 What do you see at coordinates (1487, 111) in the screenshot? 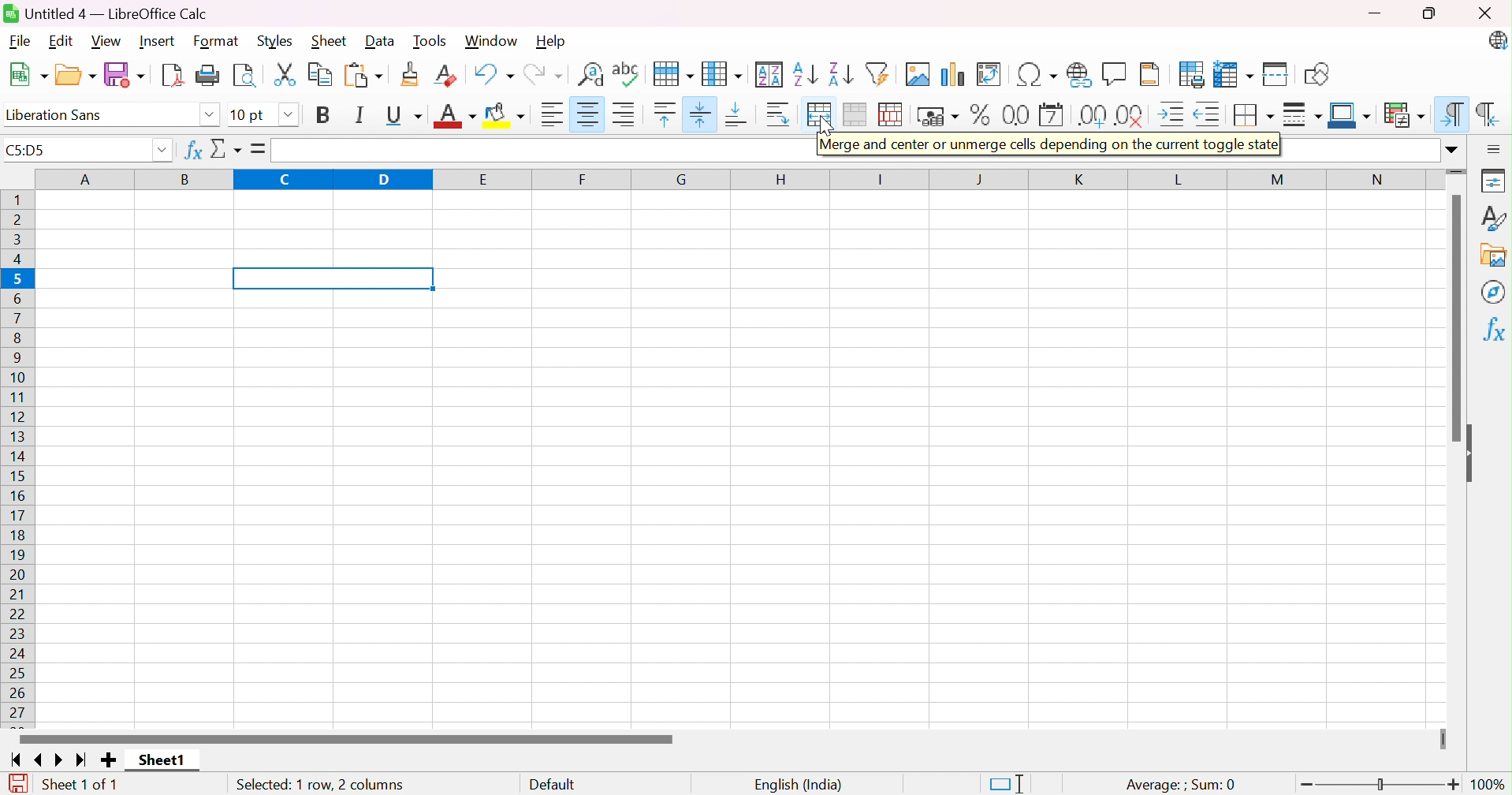
I see `Right-To-Left` at bounding box center [1487, 111].